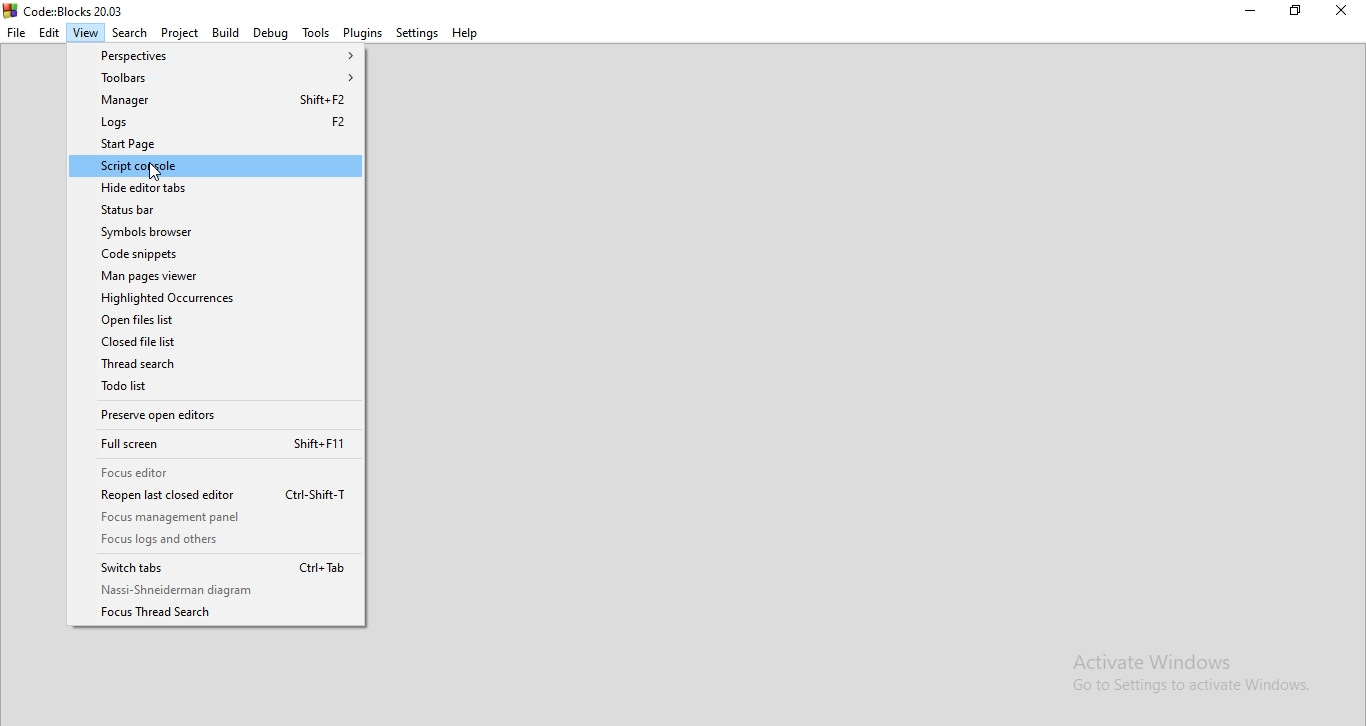 This screenshot has width=1366, height=726. Describe the element at coordinates (363, 33) in the screenshot. I see `Plugins ` at that location.